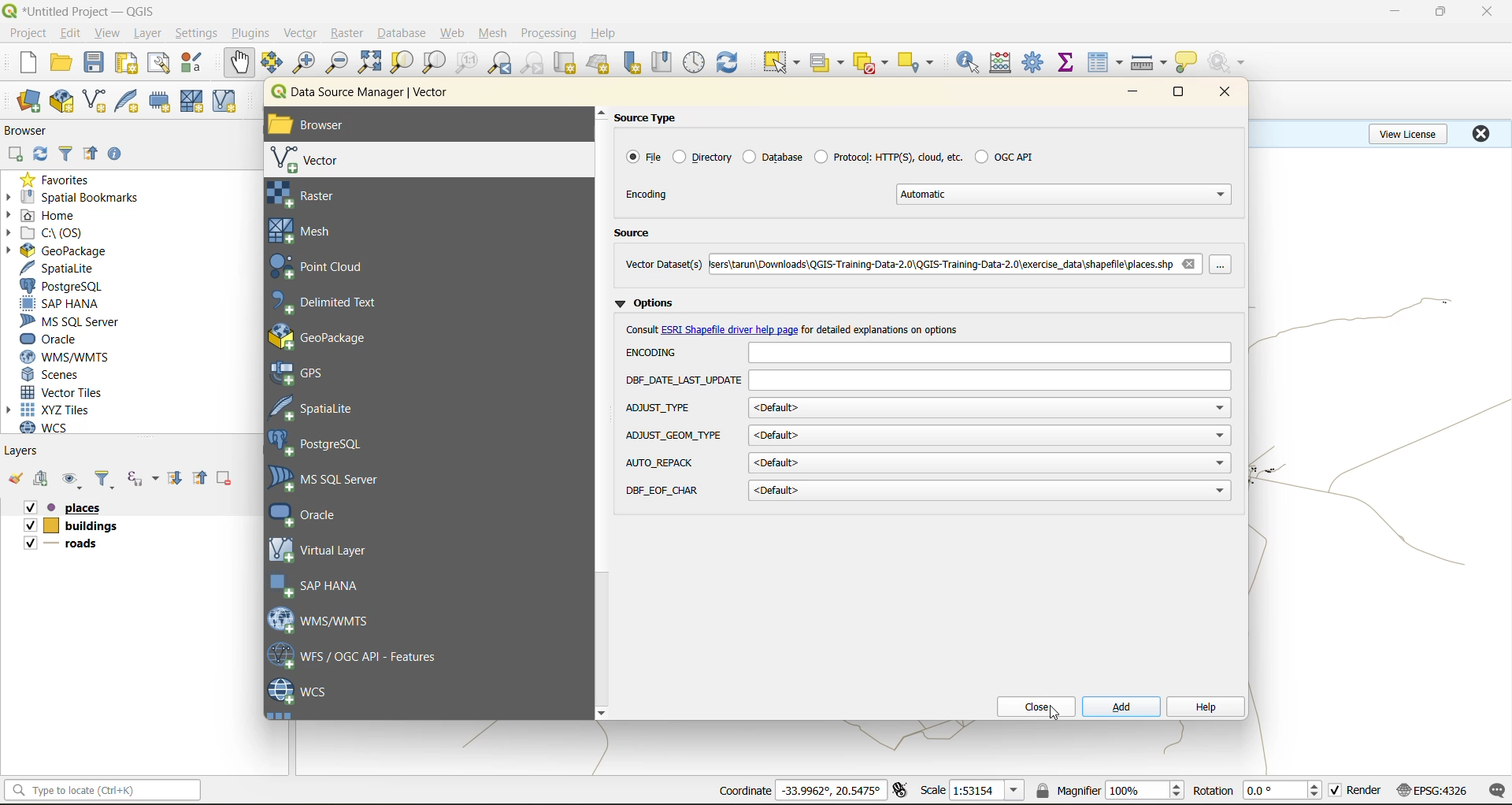  Describe the element at coordinates (98, 63) in the screenshot. I see `save` at that location.